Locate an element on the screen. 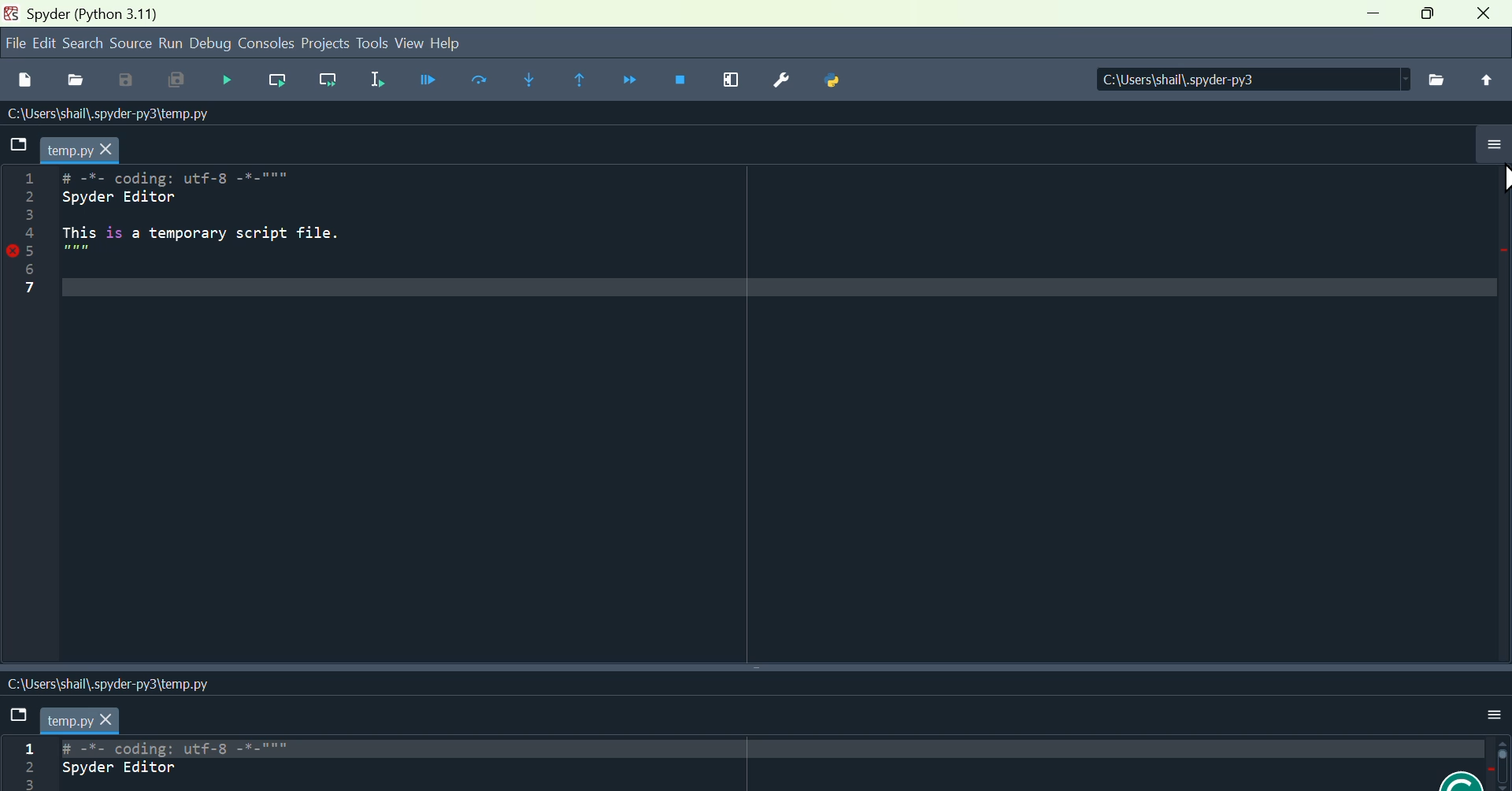 The image size is (1512, 791). Projects is located at coordinates (324, 46).